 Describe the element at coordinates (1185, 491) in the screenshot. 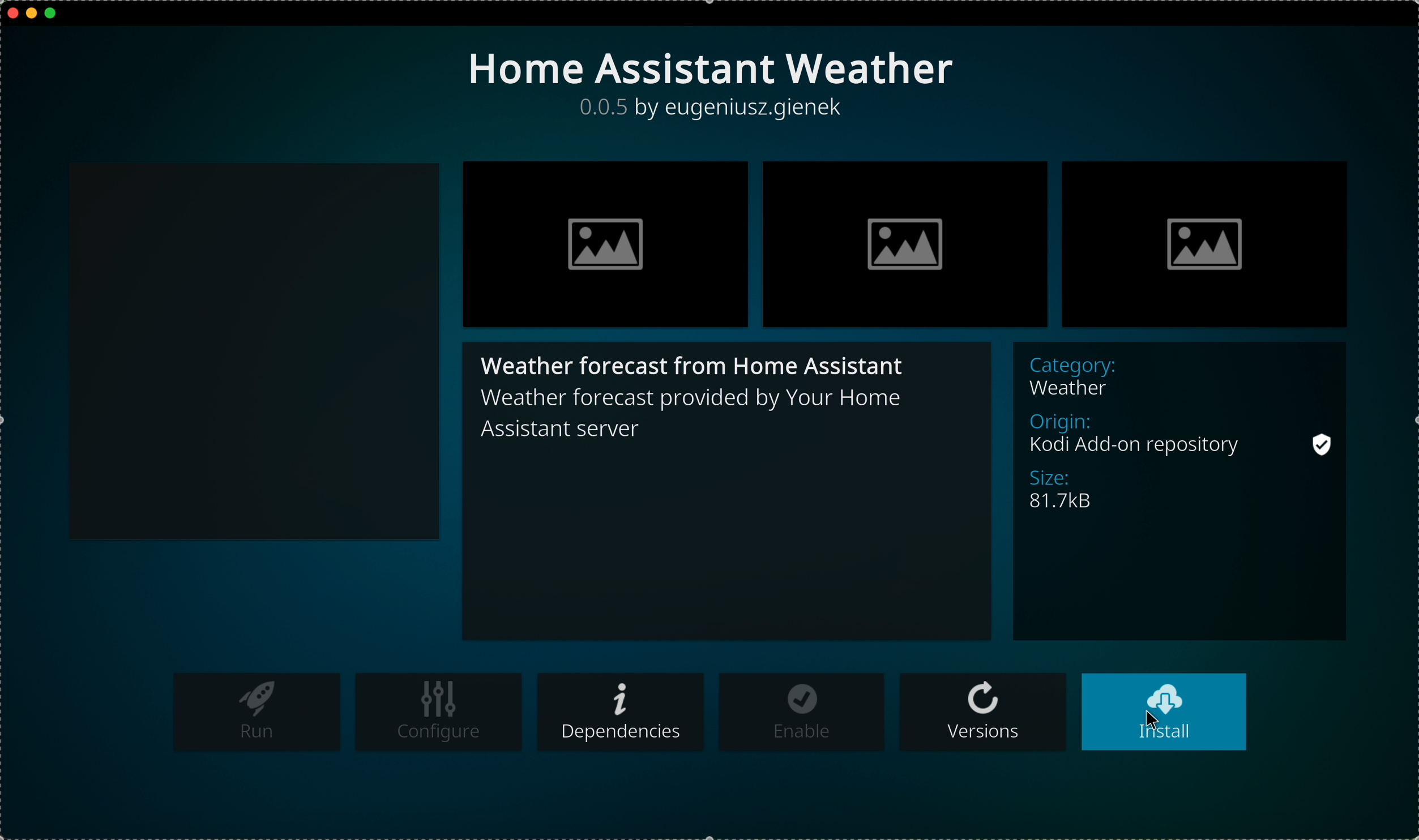

I see `description` at that location.